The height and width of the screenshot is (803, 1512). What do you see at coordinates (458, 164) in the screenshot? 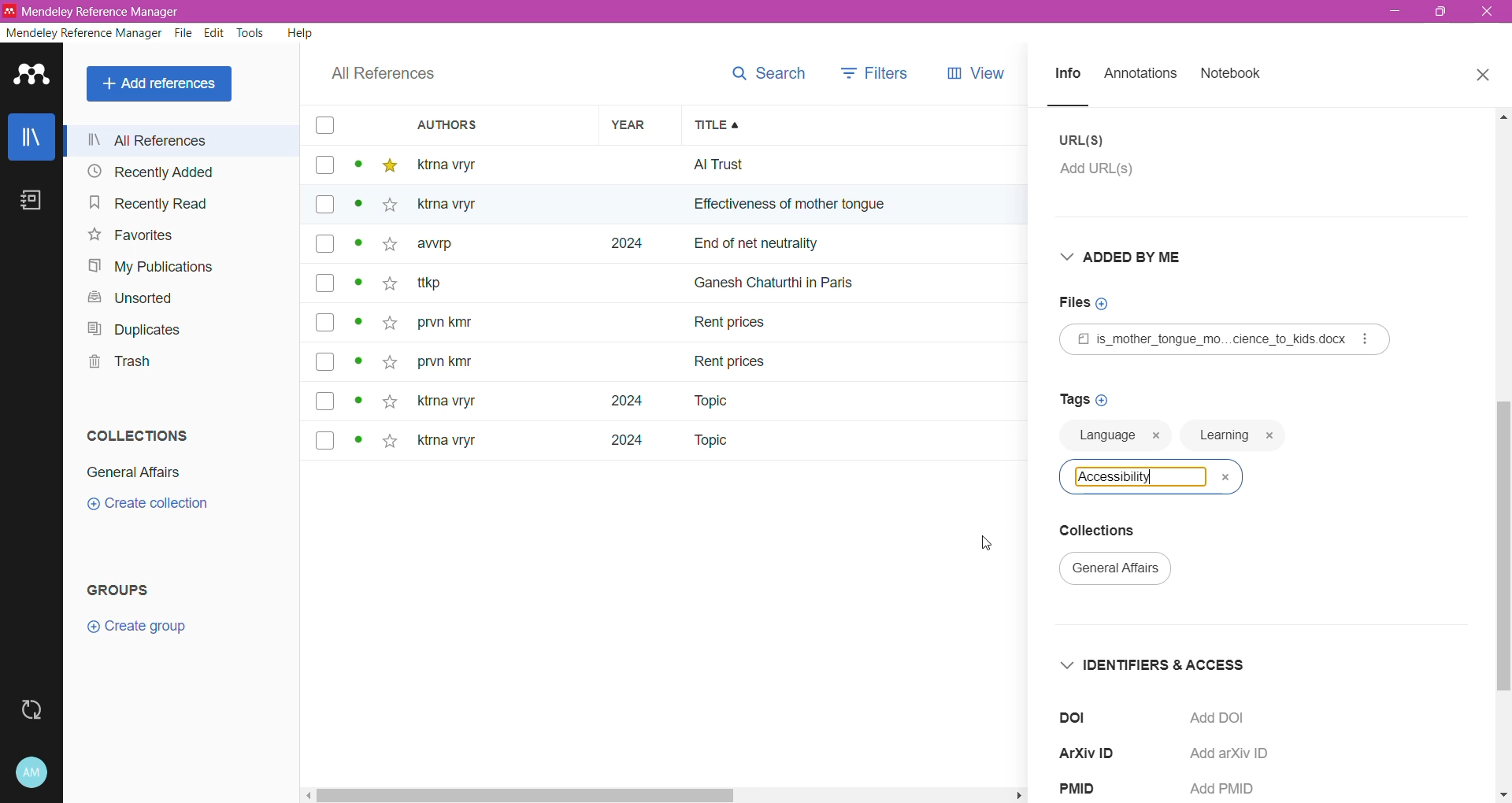
I see `ktma vtyr` at bounding box center [458, 164].